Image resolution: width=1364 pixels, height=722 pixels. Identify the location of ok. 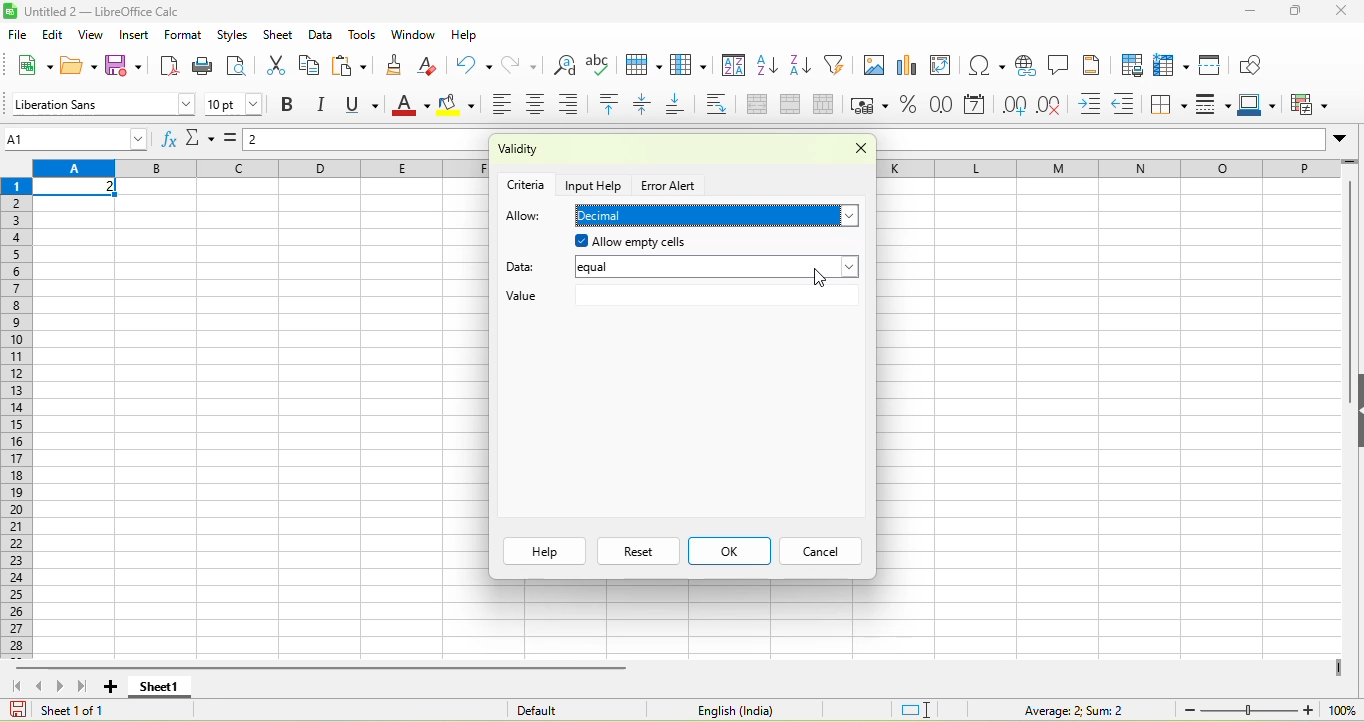
(729, 551).